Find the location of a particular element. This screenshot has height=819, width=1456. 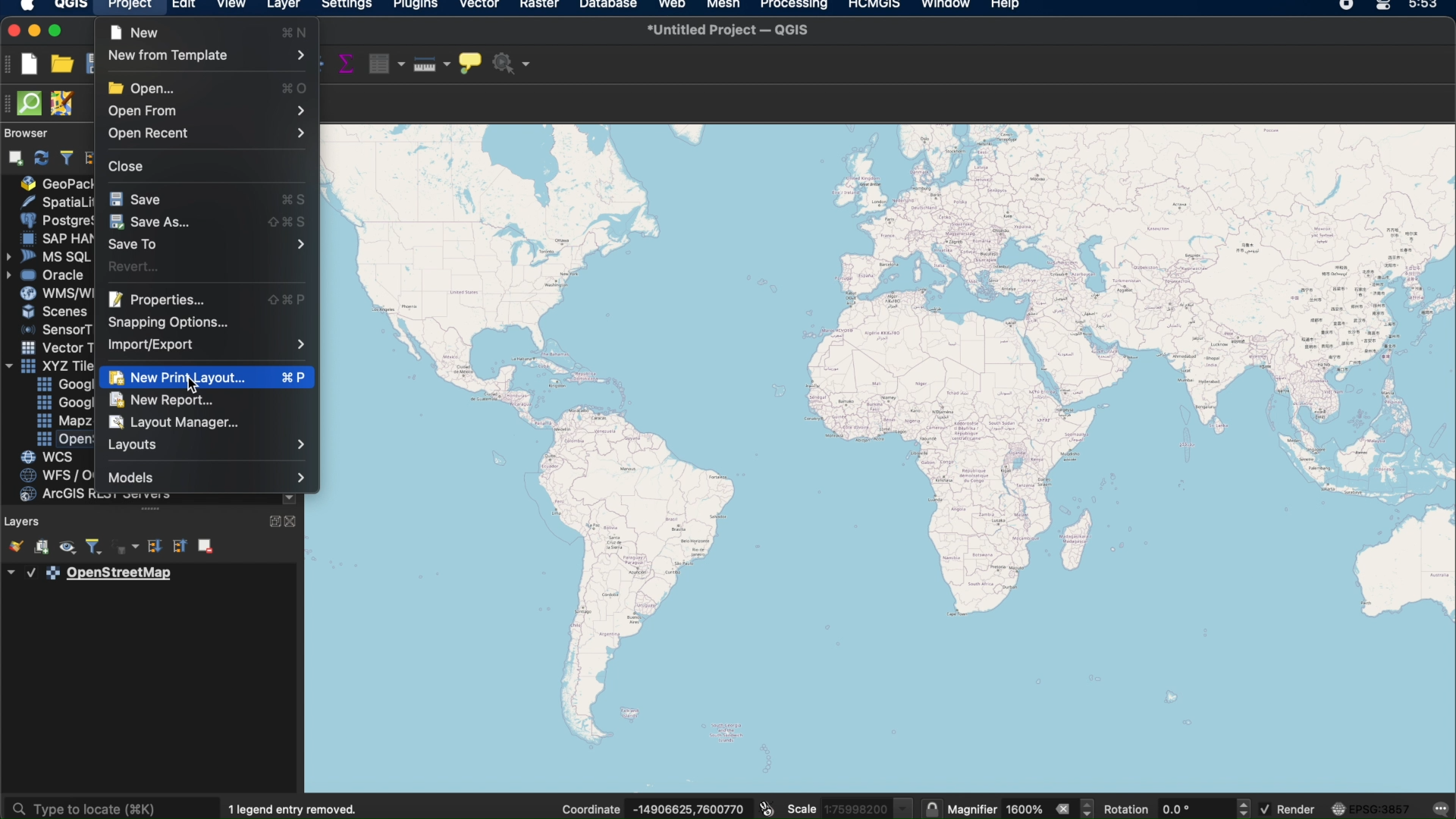

scrolldown arrow is located at coordinates (290, 500).